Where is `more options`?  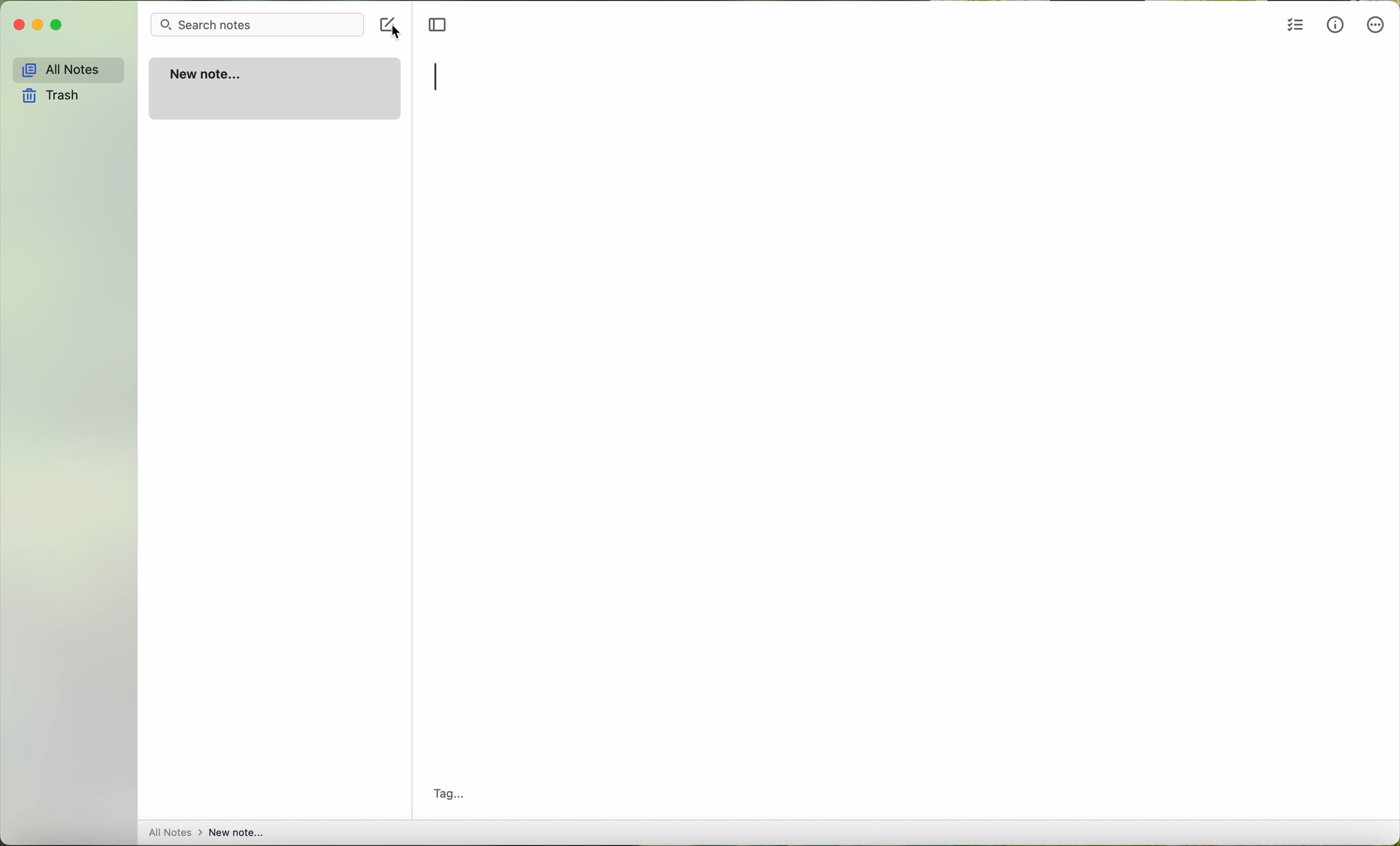
more options is located at coordinates (1377, 27).